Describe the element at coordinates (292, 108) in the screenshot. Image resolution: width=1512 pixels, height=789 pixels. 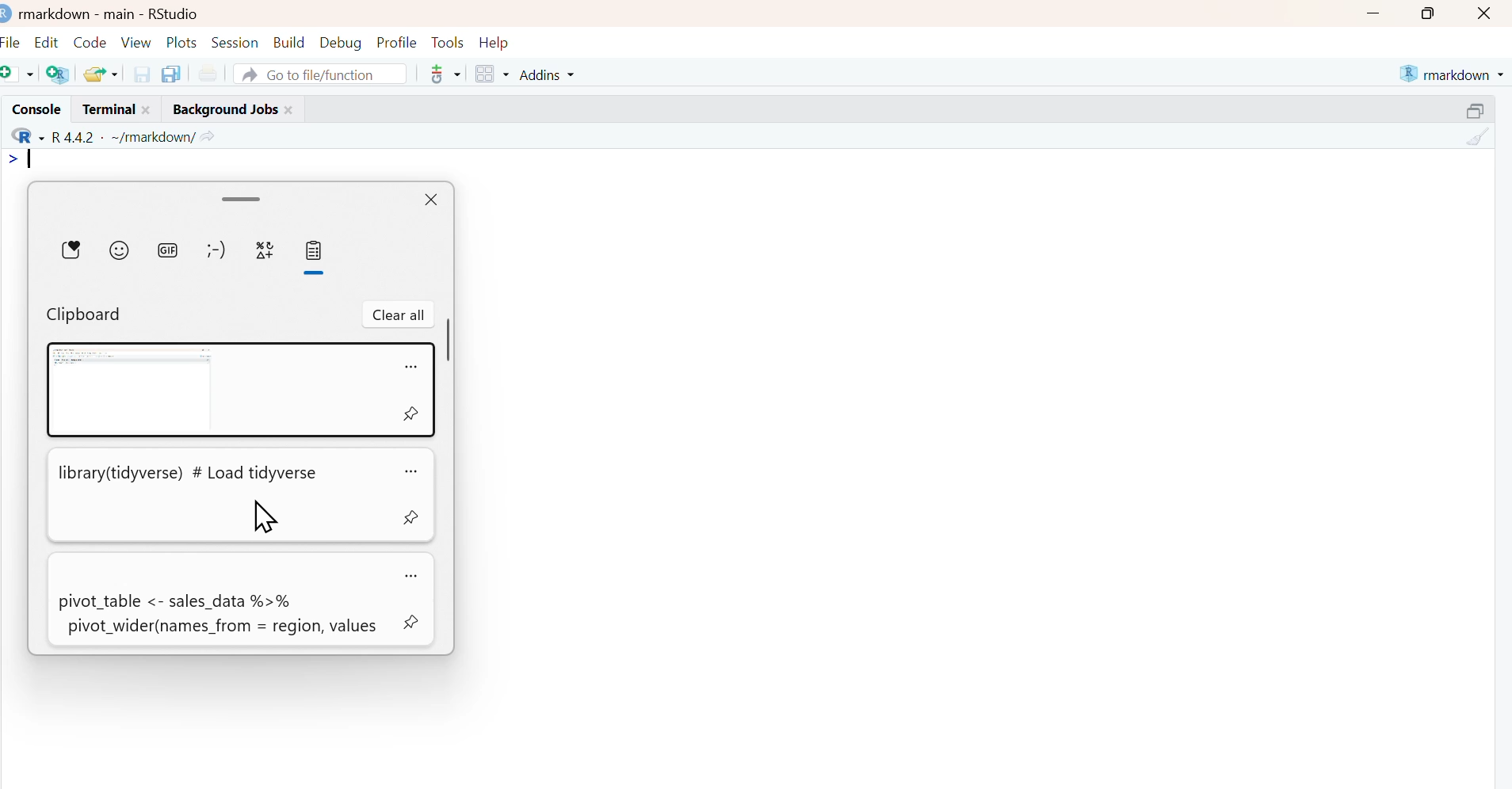
I see `close` at that location.